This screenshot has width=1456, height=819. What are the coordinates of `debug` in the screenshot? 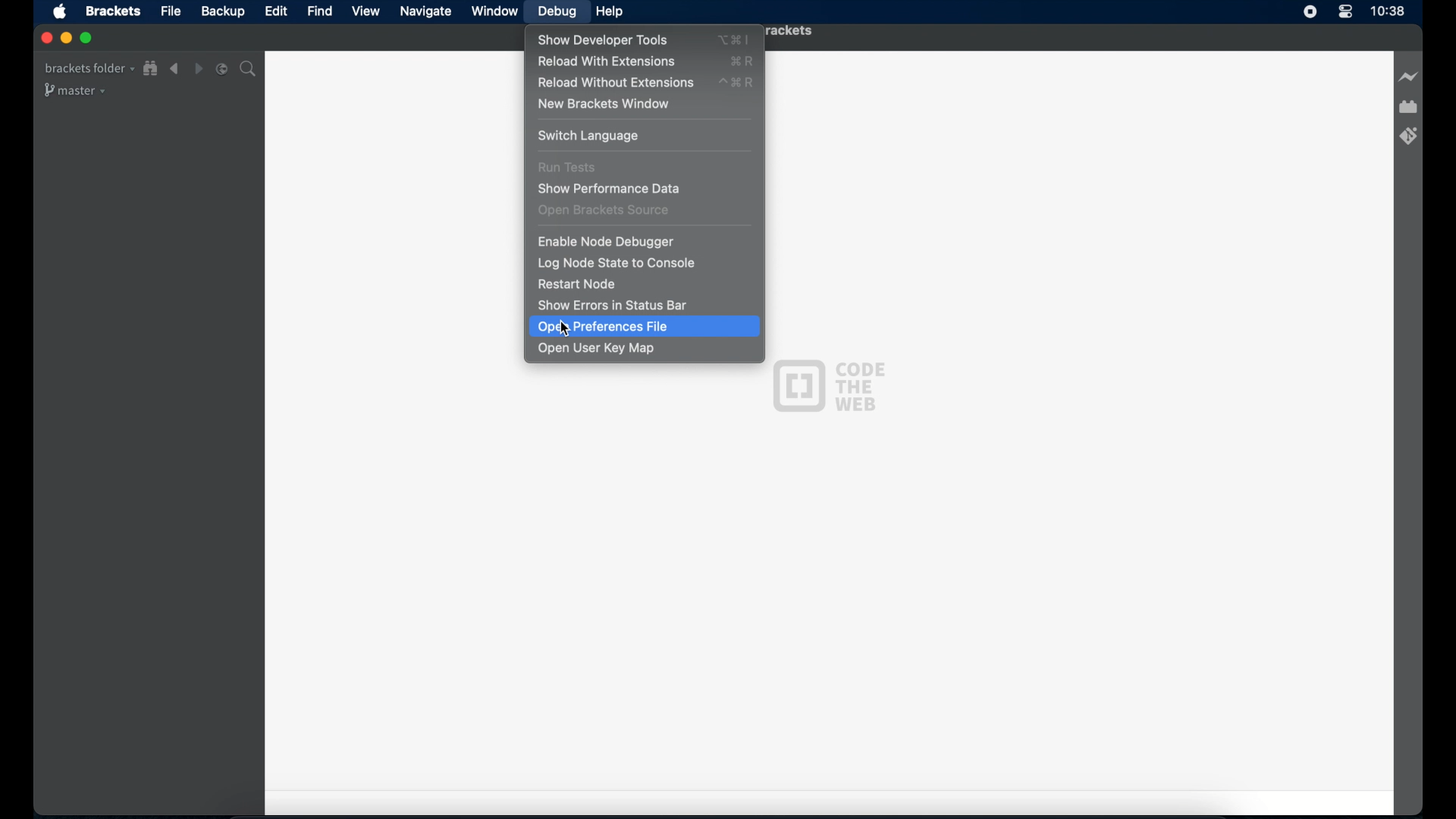 It's located at (557, 11).